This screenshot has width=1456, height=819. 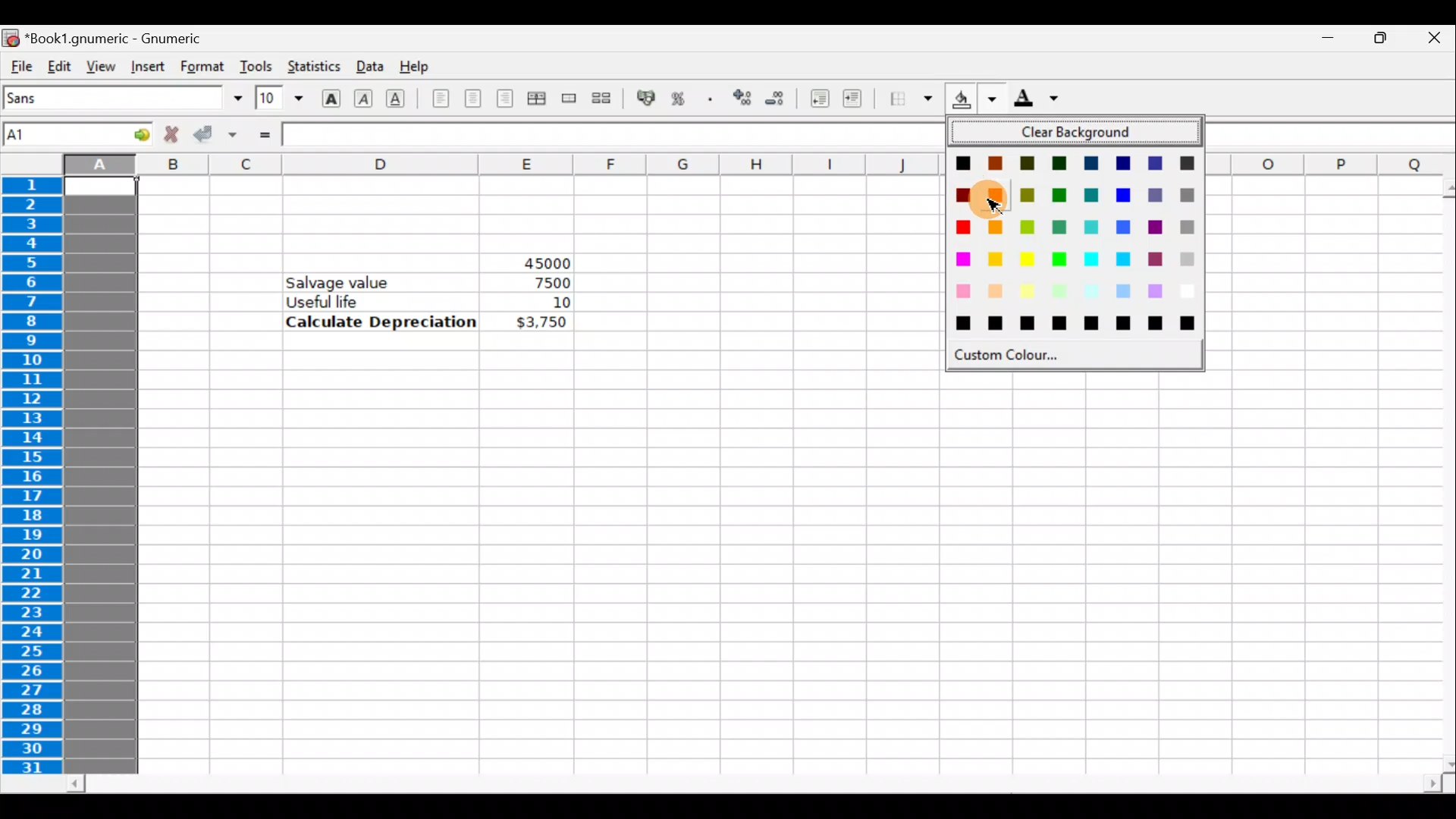 What do you see at coordinates (131, 133) in the screenshot?
I see `Go to` at bounding box center [131, 133].